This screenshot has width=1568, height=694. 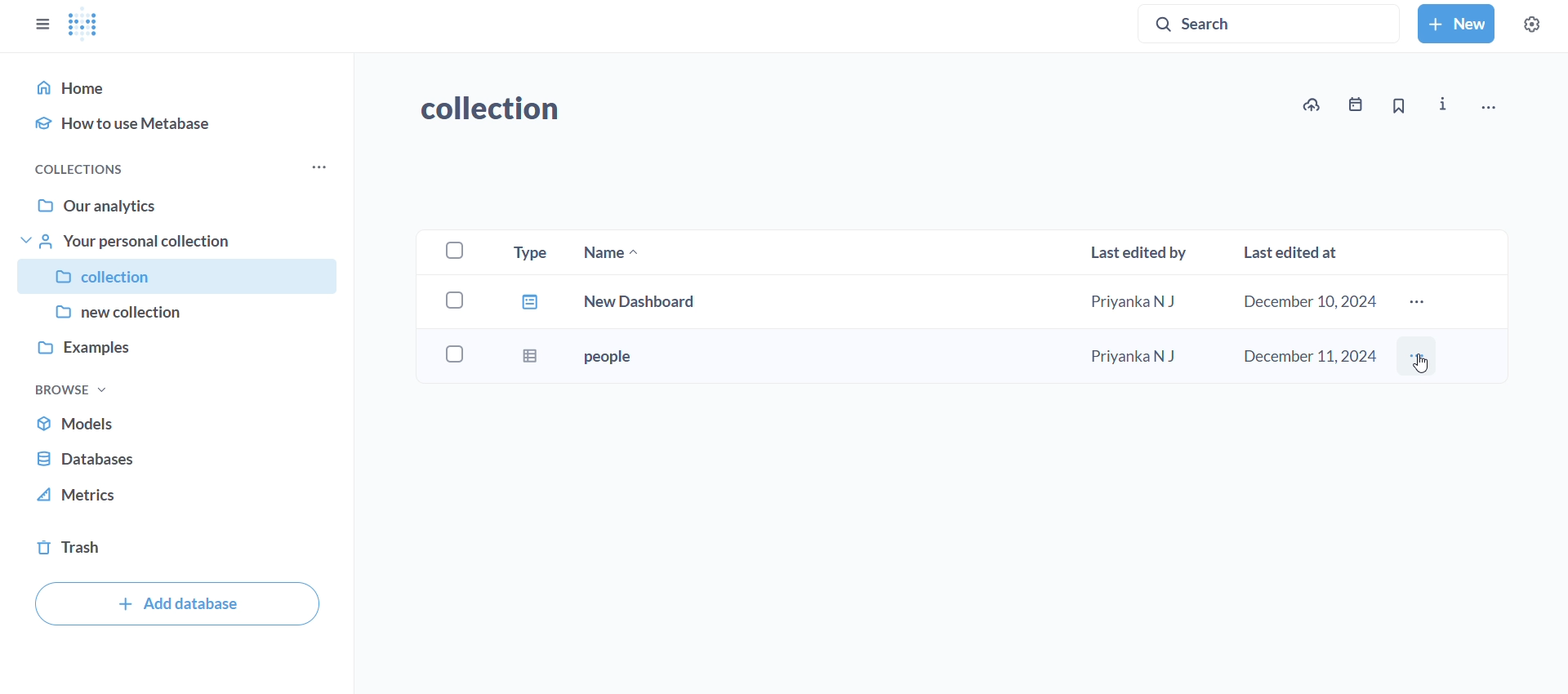 What do you see at coordinates (525, 251) in the screenshot?
I see `type` at bounding box center [525, 251].